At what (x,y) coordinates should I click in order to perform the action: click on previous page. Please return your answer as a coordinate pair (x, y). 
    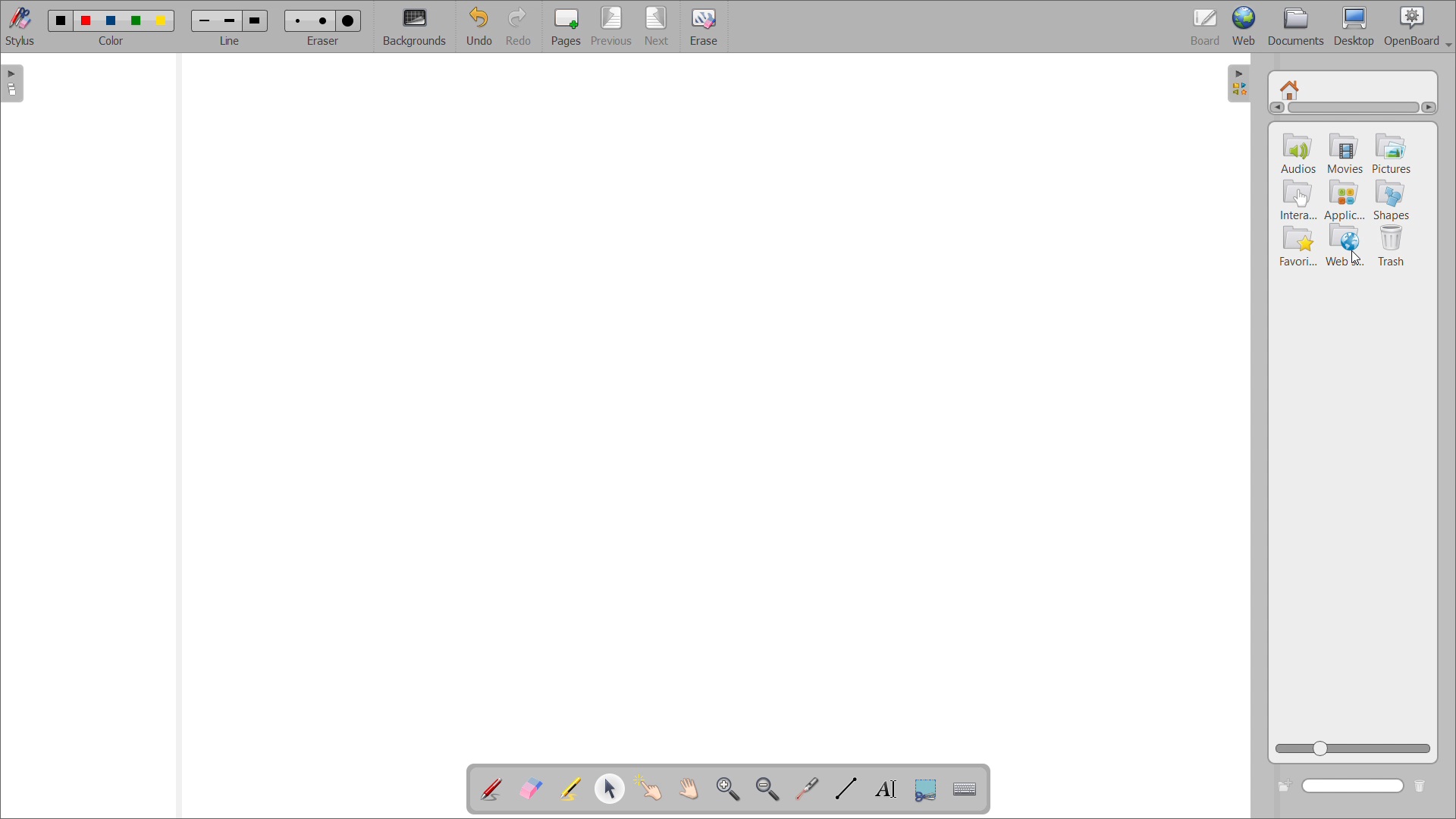
    Looking at the image, I should click on (611, 26).